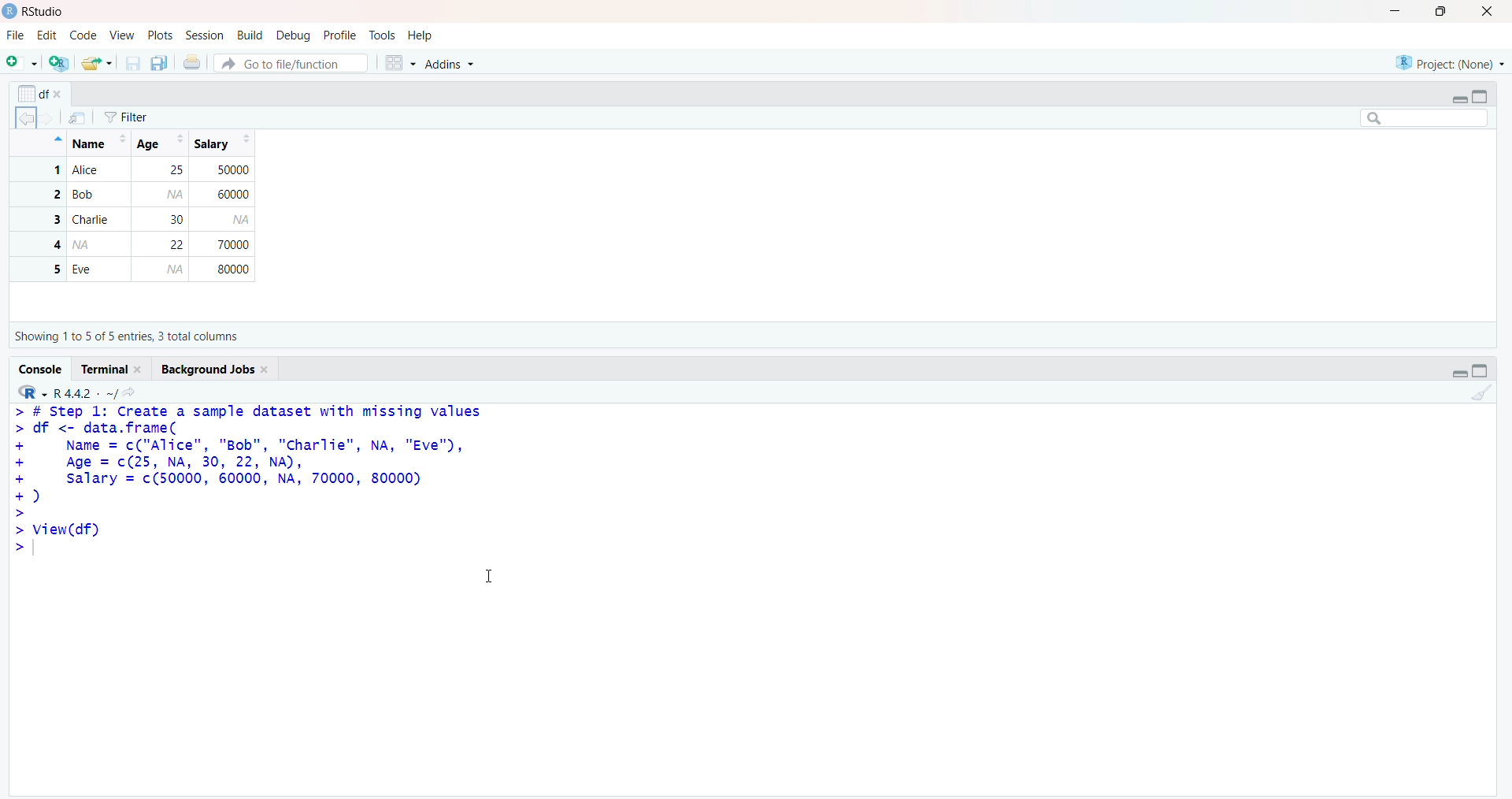  Describe the element at coordinates (399, 63) in the screenshot. I see `Workspace panes` at that location.